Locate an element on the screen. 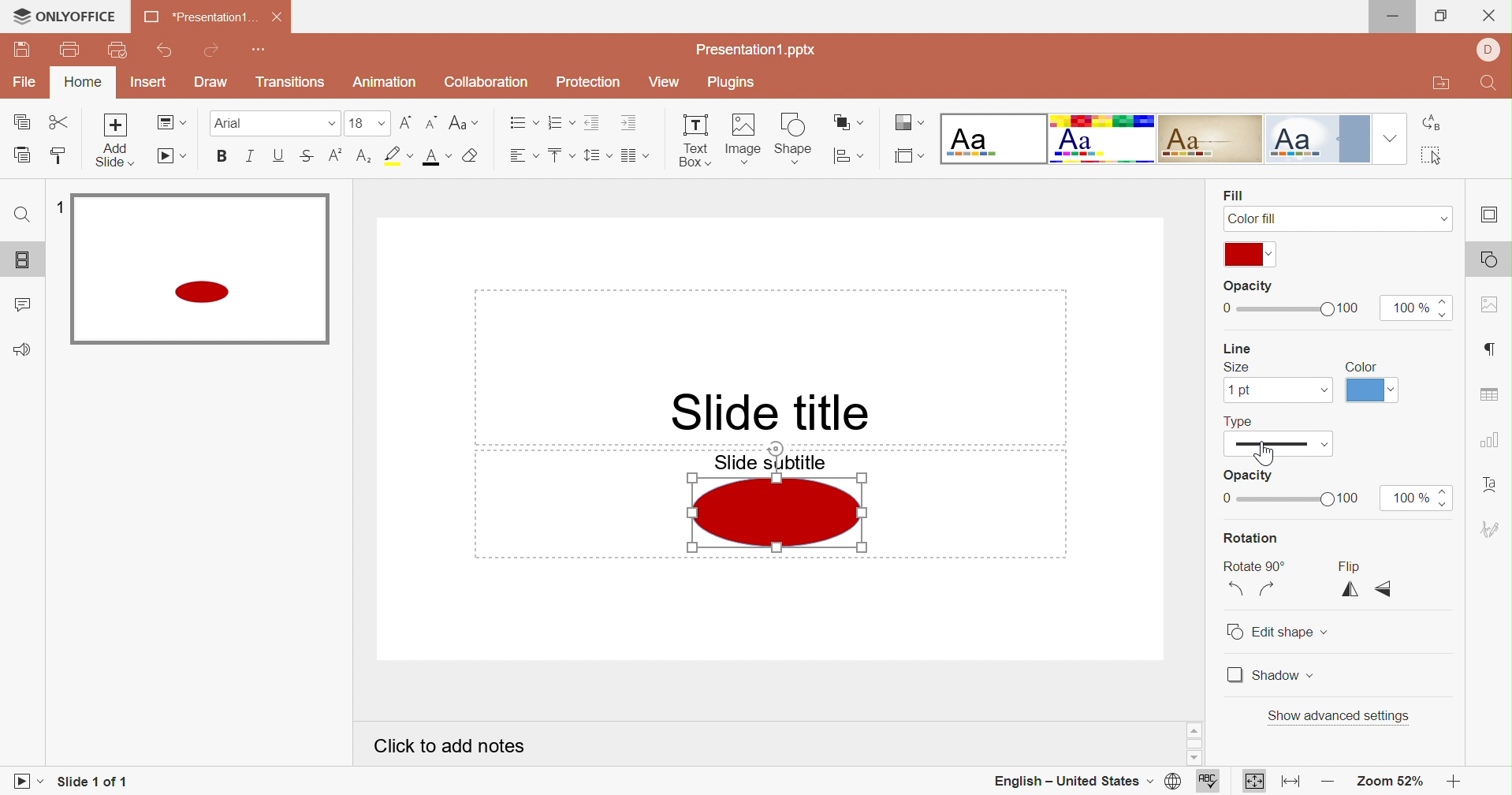 This screenshot has height=795, width=1512. Rotate 90° Clockwise is located at coordinates (1266, 589).